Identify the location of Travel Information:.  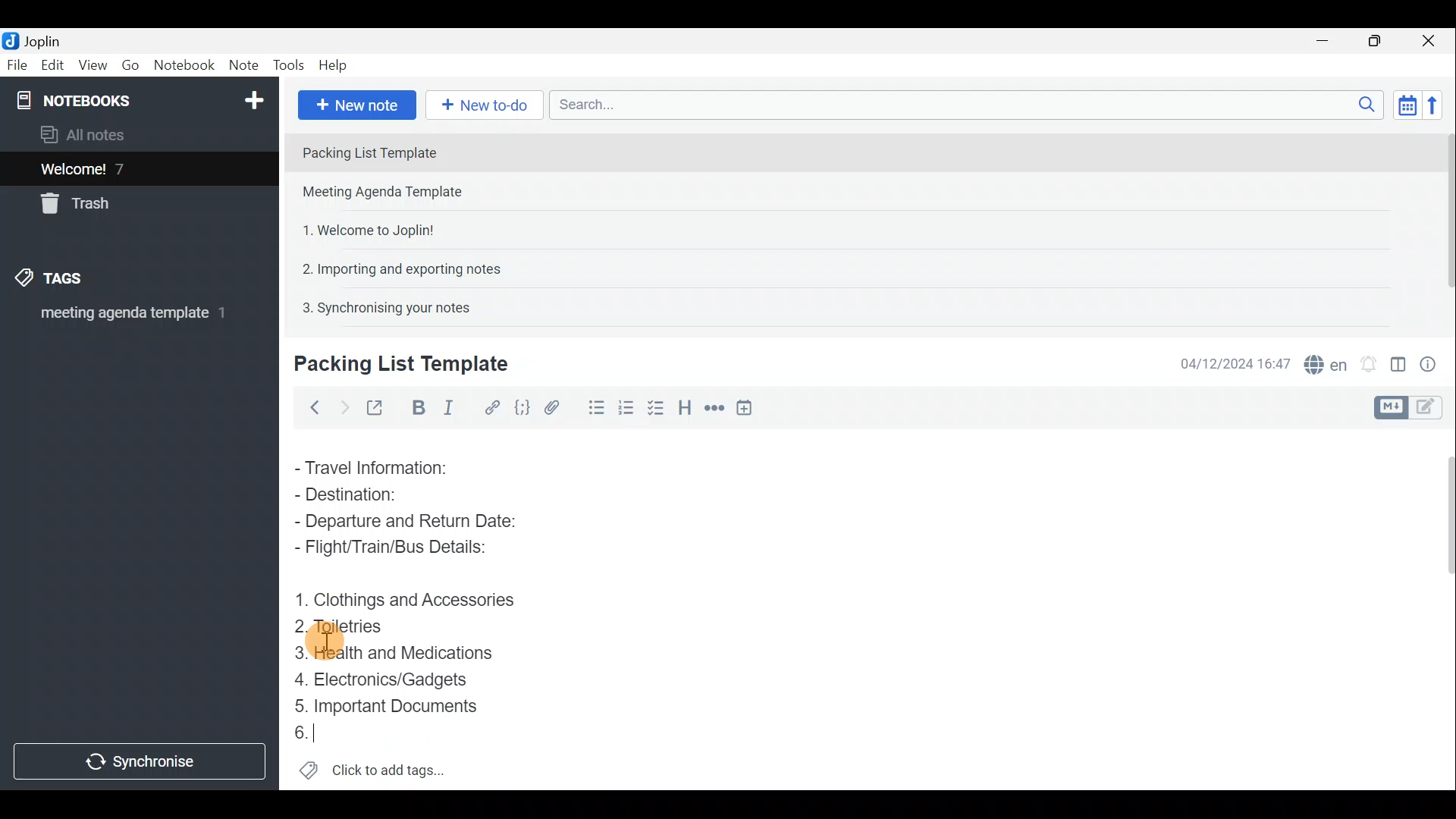
(383, 466).